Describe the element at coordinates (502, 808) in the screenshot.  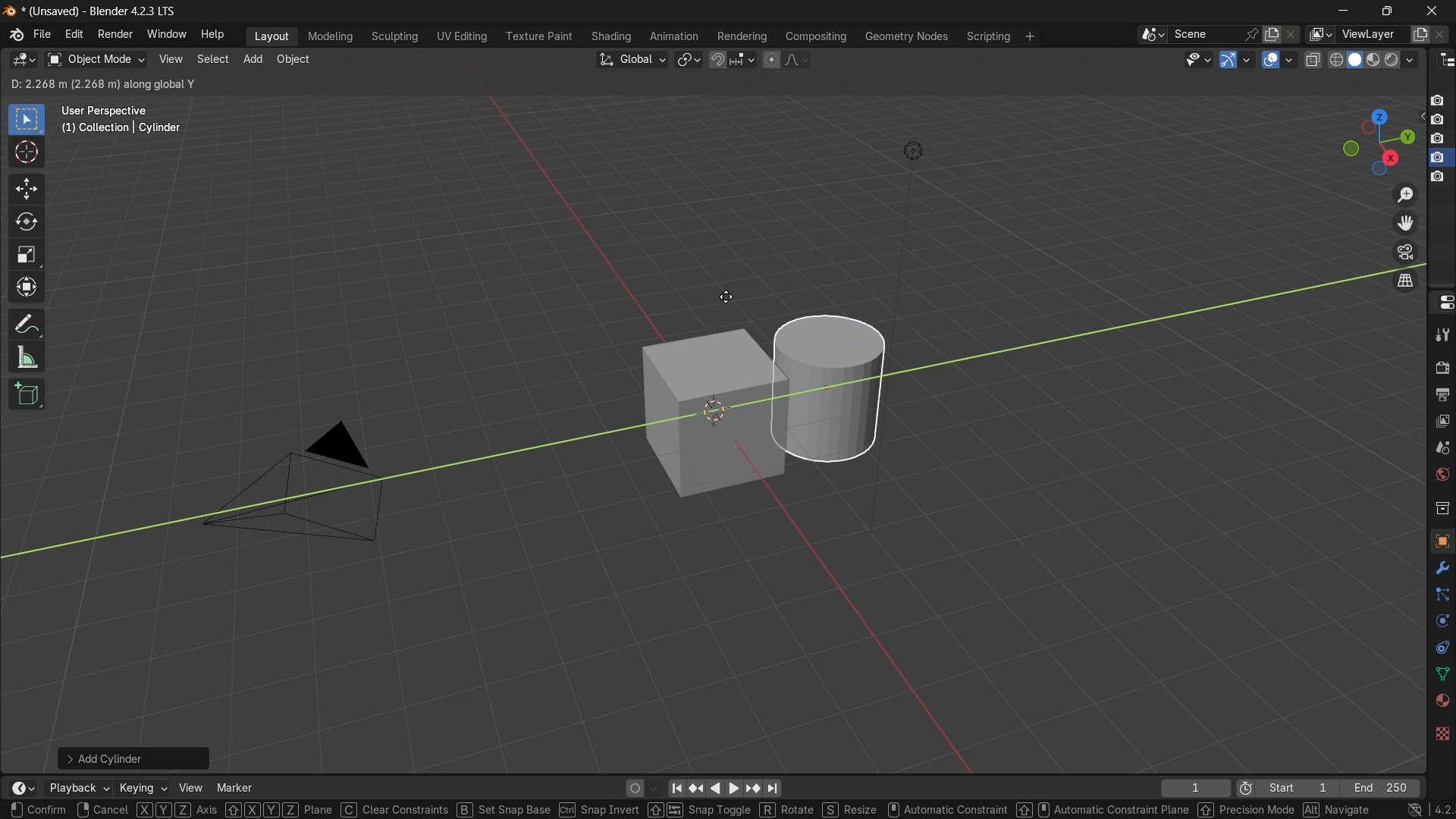
I see `set snap base` at that location.